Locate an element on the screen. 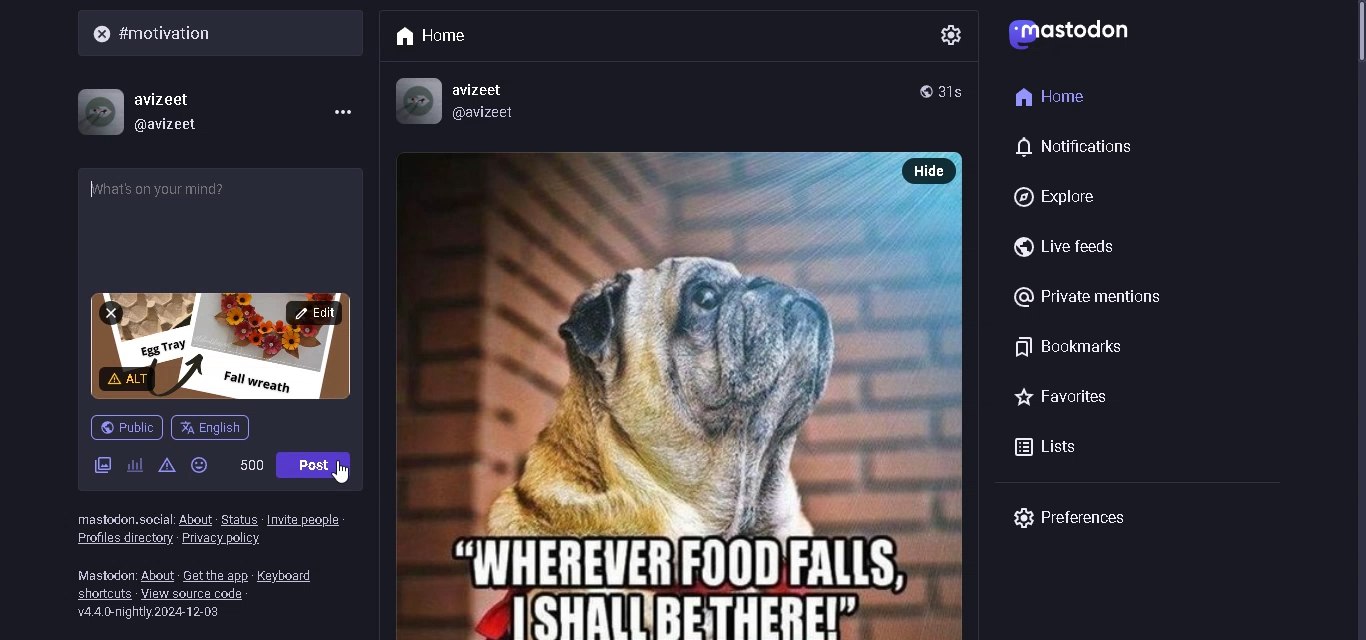  favorites is located at coordinates (1058, 397).